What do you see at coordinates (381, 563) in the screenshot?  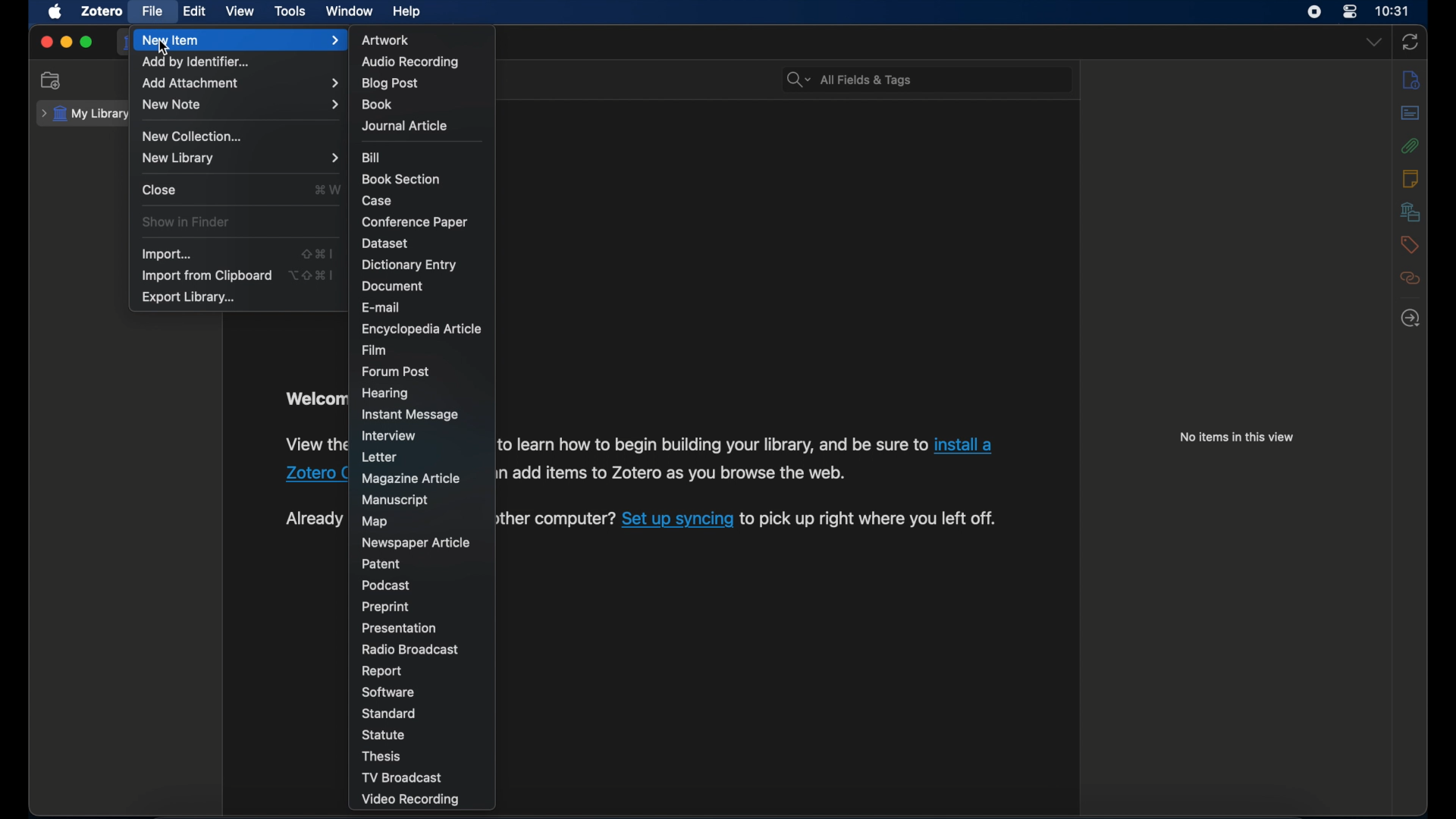 I see `patent` at bounding box center [381, 563].